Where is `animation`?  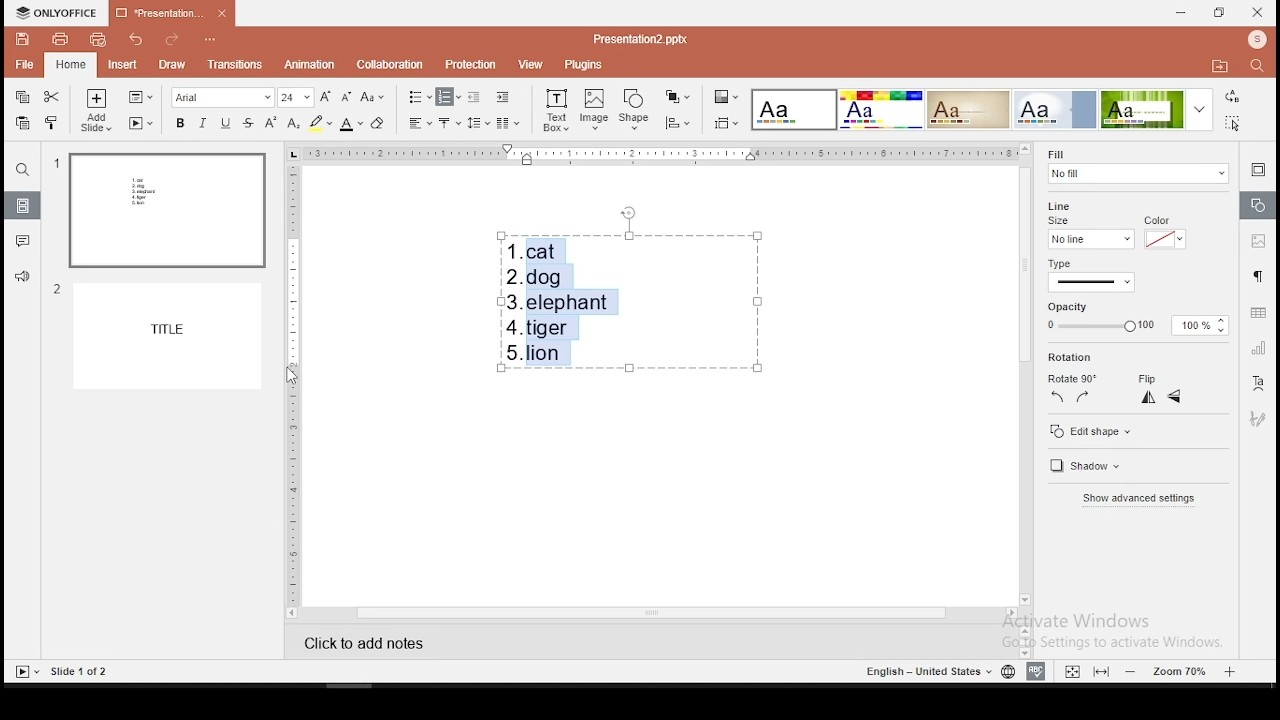
animation is located at coordinates (308, 64).